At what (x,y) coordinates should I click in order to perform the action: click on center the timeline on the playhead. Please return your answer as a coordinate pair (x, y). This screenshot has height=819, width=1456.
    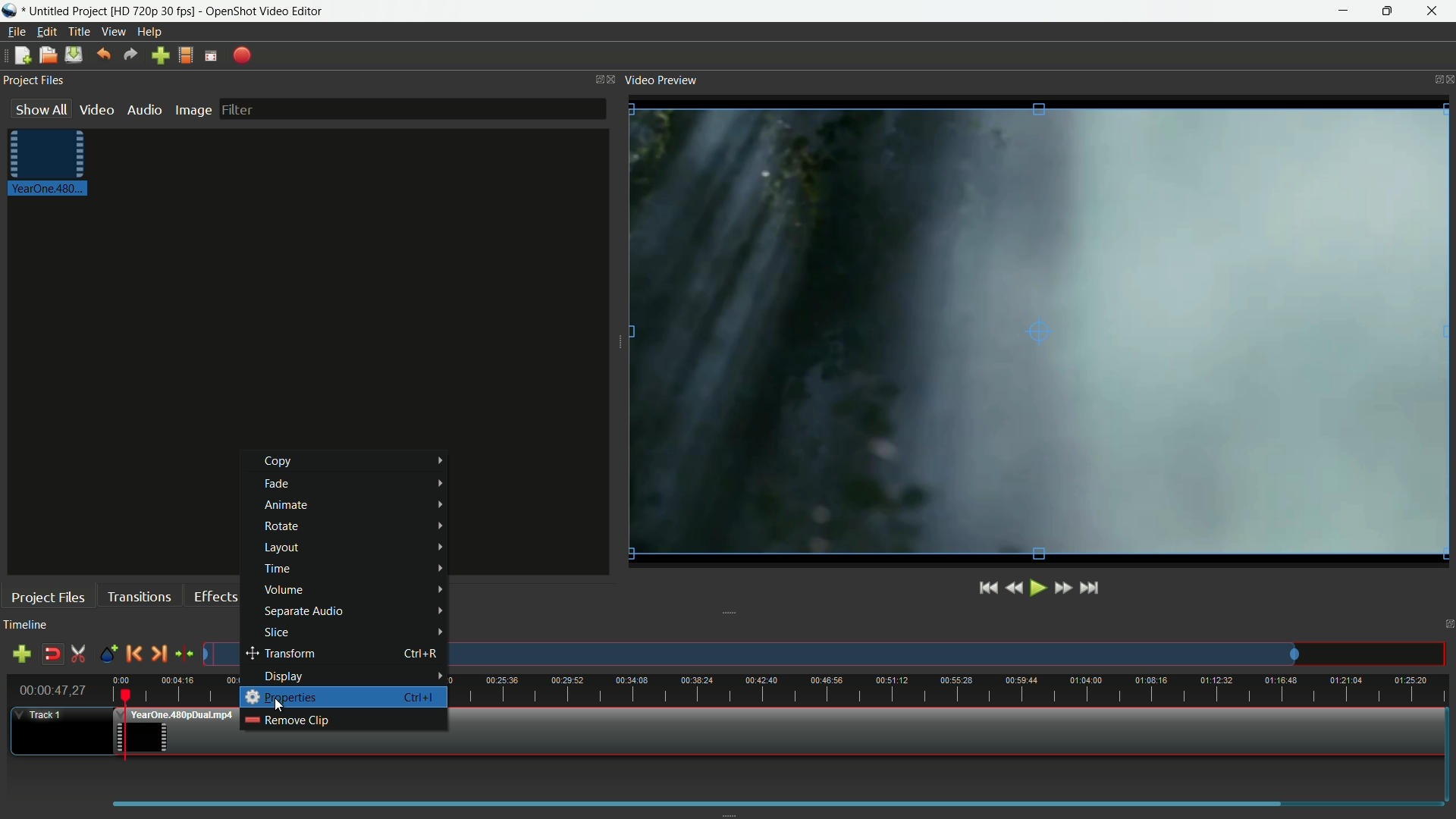
    Looking at the image, I should click on (184, 653).